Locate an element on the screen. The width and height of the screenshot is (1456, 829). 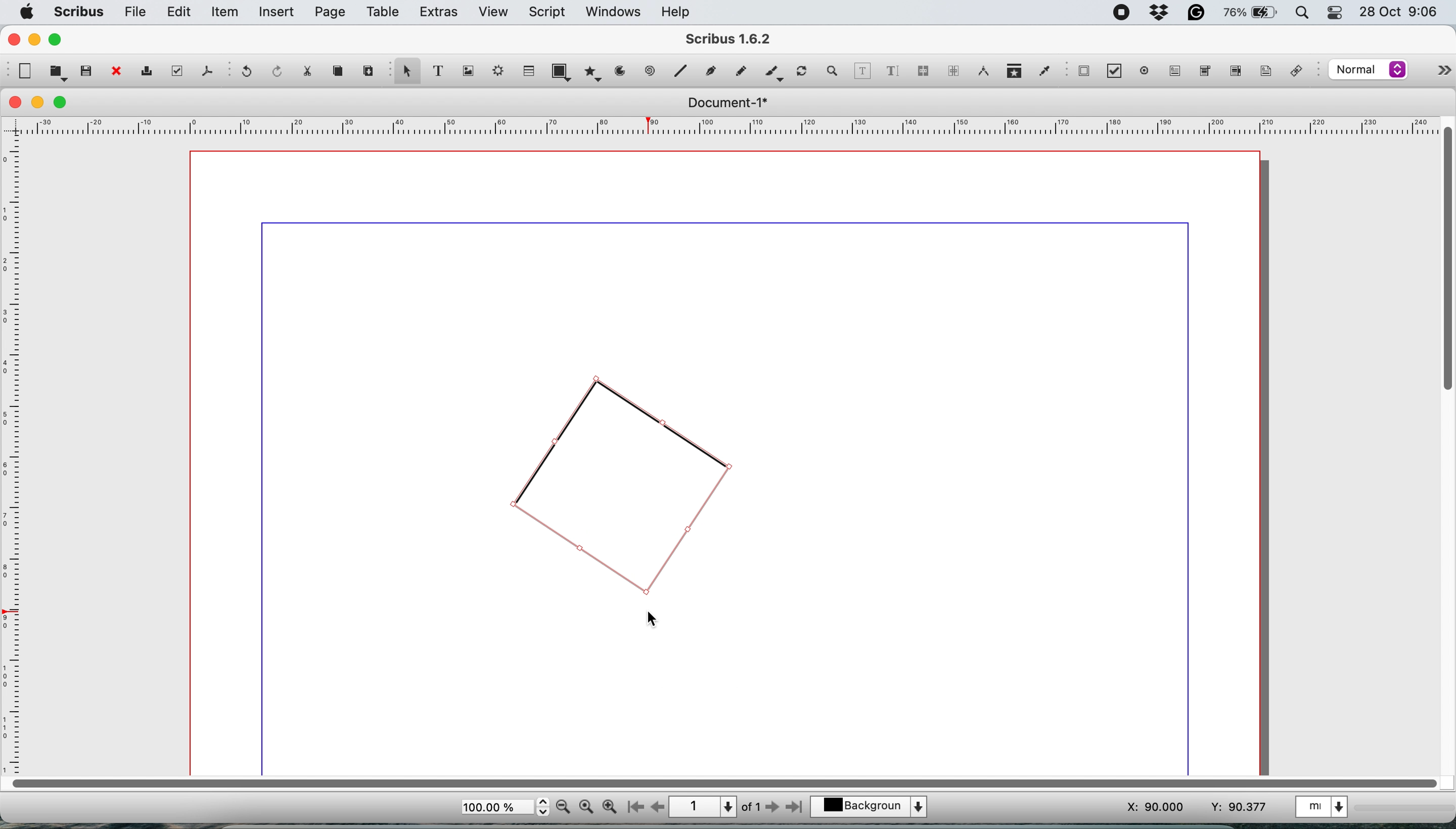
scribus is located at coordinates (79, 12).